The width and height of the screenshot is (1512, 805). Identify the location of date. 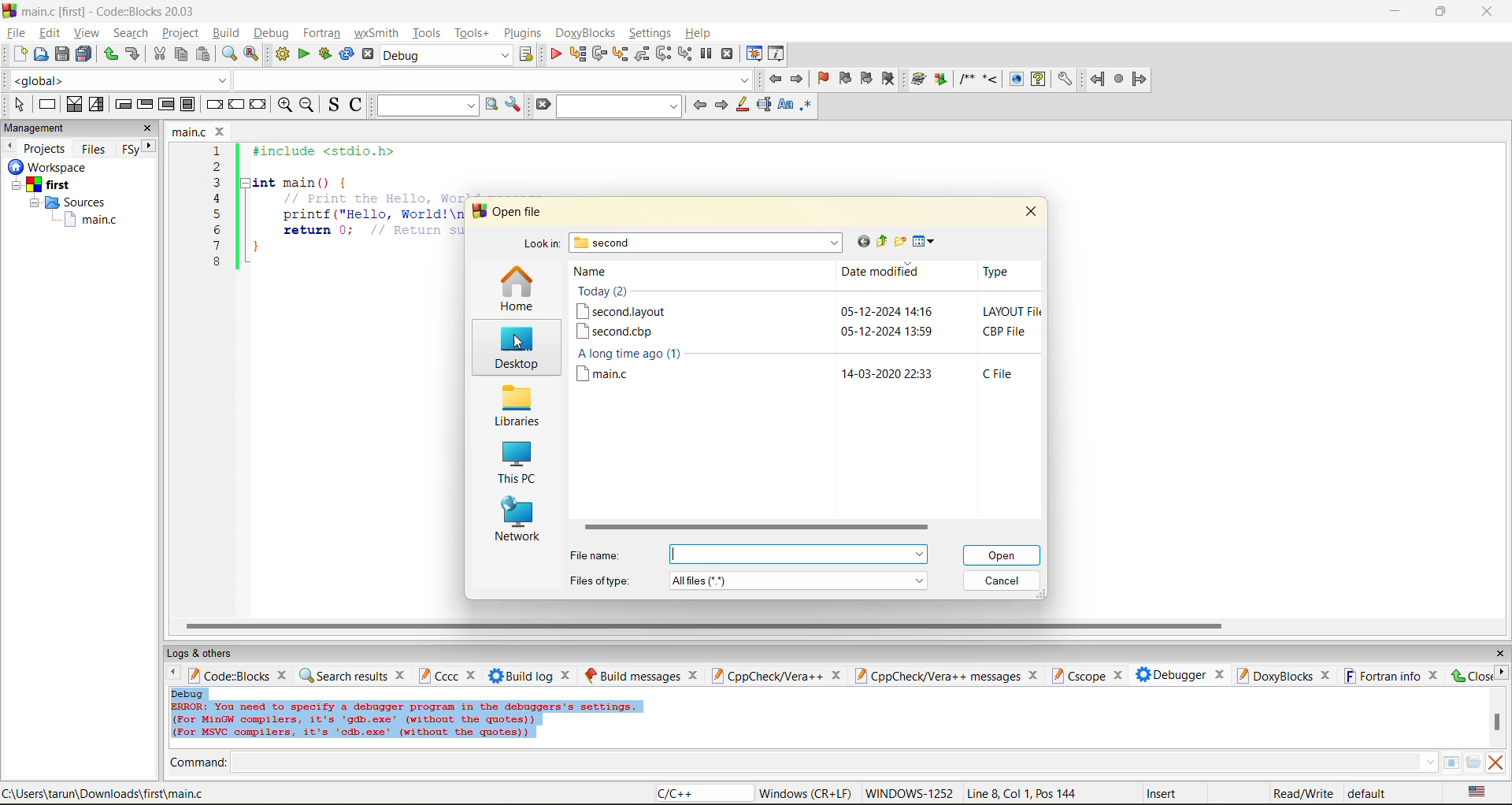
(871, 311).